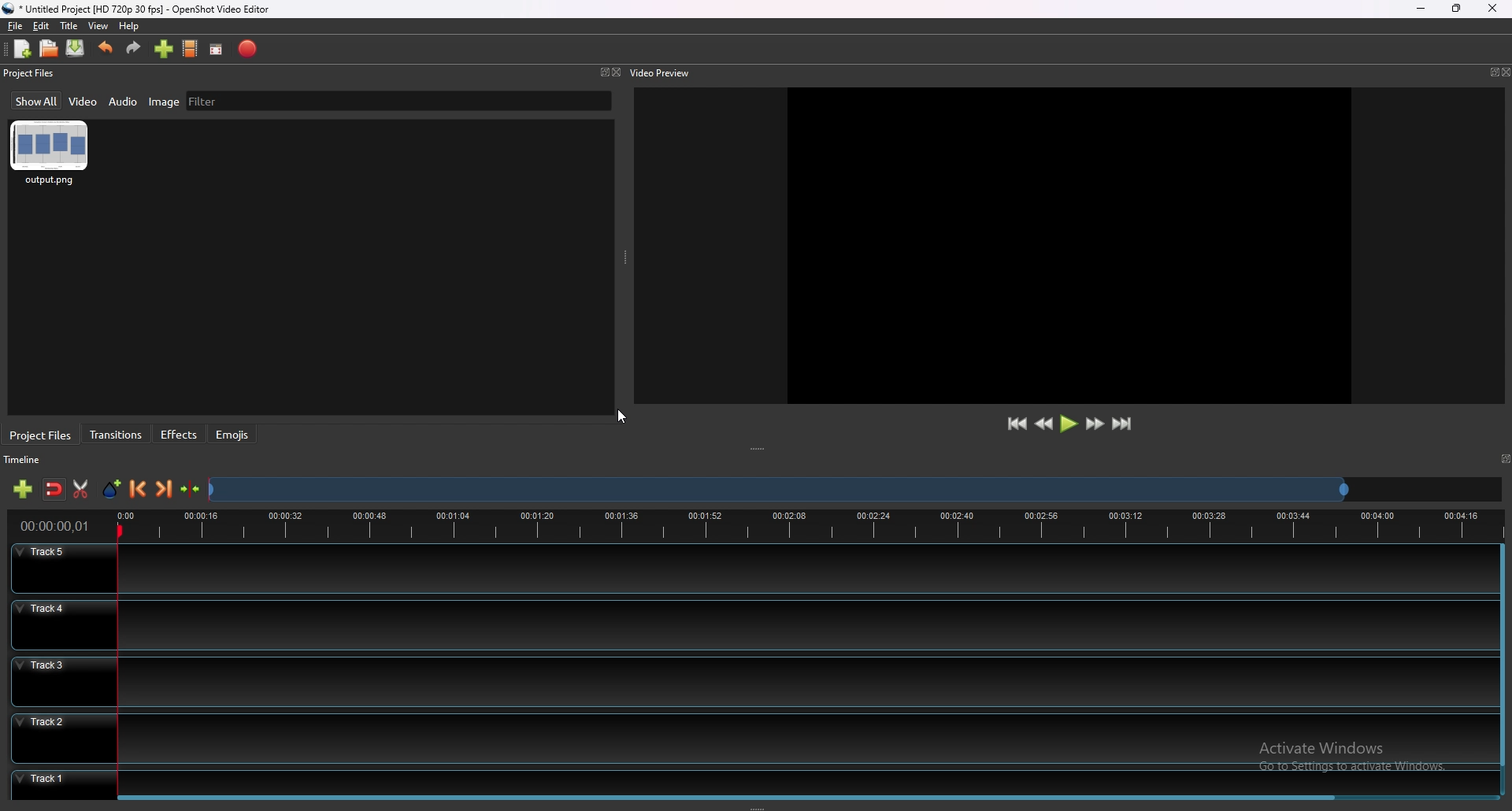 The width and height of the screenshot is (1512, 811). What do you see at coordinates (751, 568) in the screenshot?
I see `track 5` at bounding box center [751, 568].